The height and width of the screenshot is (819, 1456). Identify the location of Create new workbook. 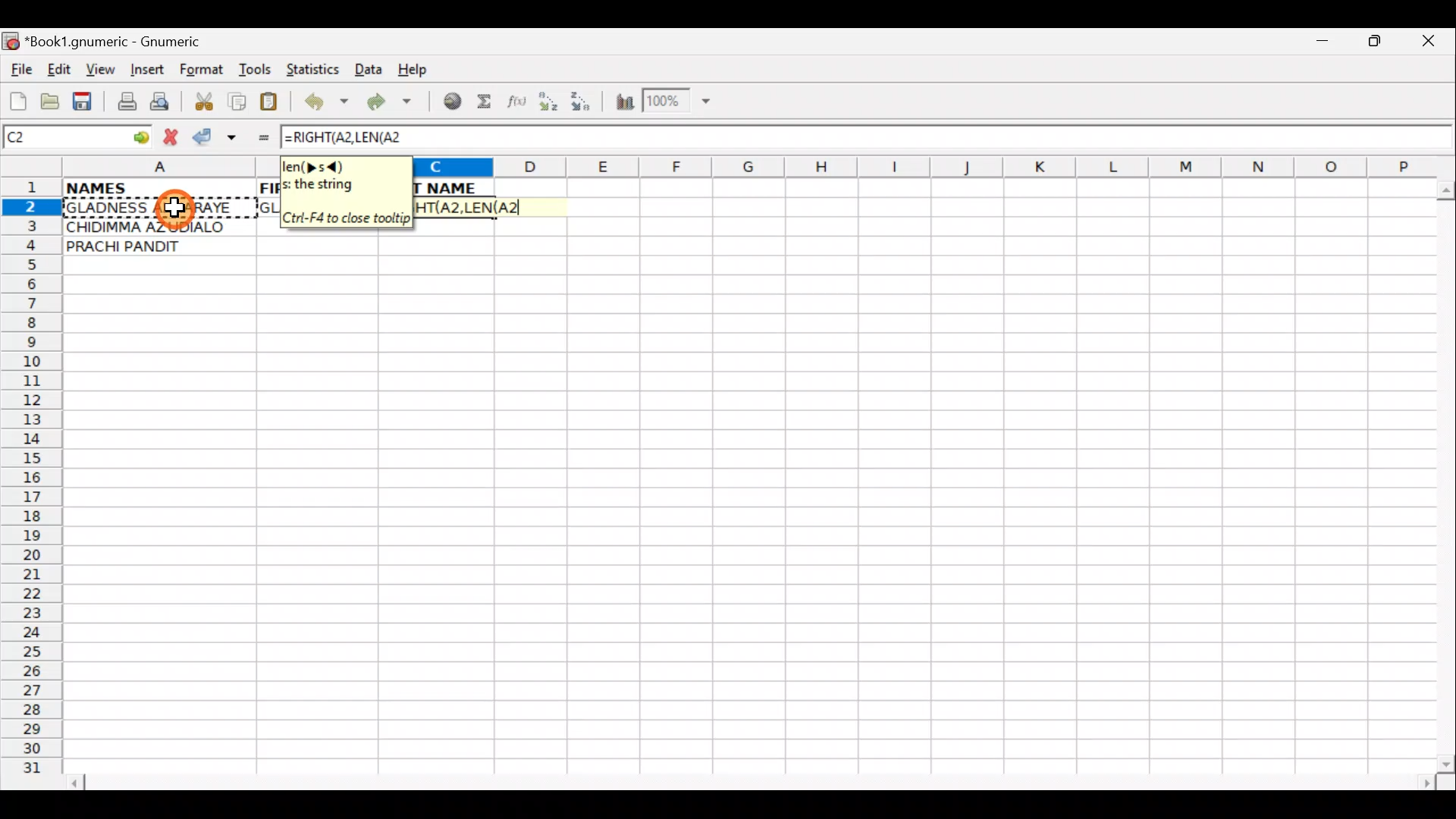
(17, 99).